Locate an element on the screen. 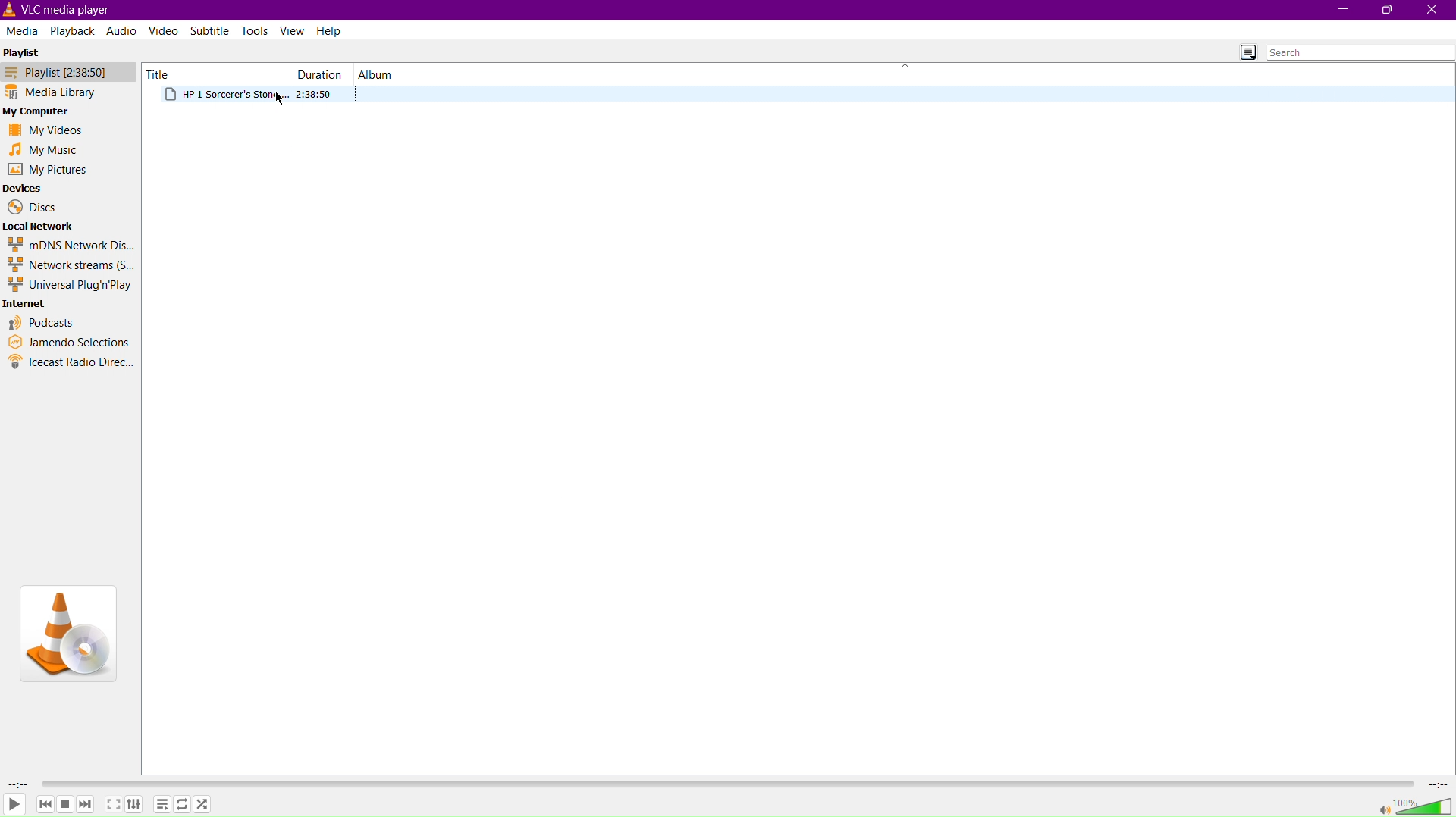 The image size is (1456, 817). Media is located at coordinates (24, 30).